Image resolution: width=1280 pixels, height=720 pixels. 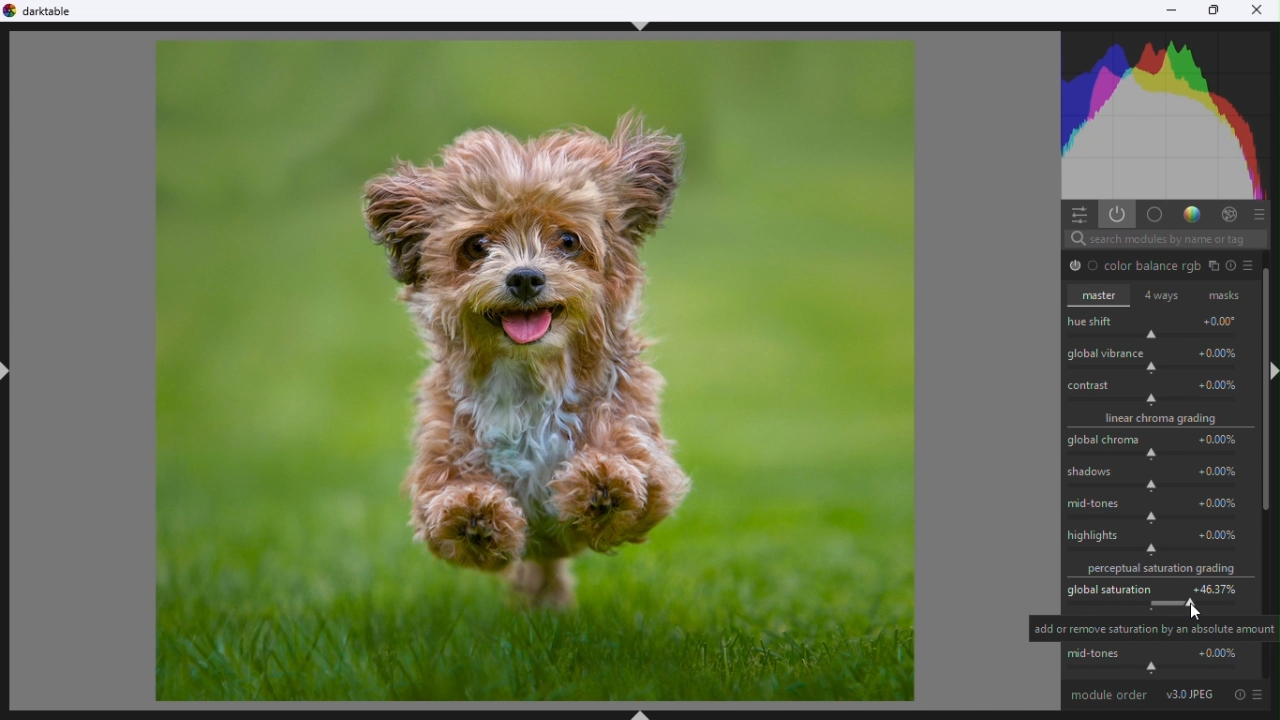 What do you see at coordinates (646, 30) in the screenshot?
I see `ctrl+shift+t` at bounding box center [646, 30].